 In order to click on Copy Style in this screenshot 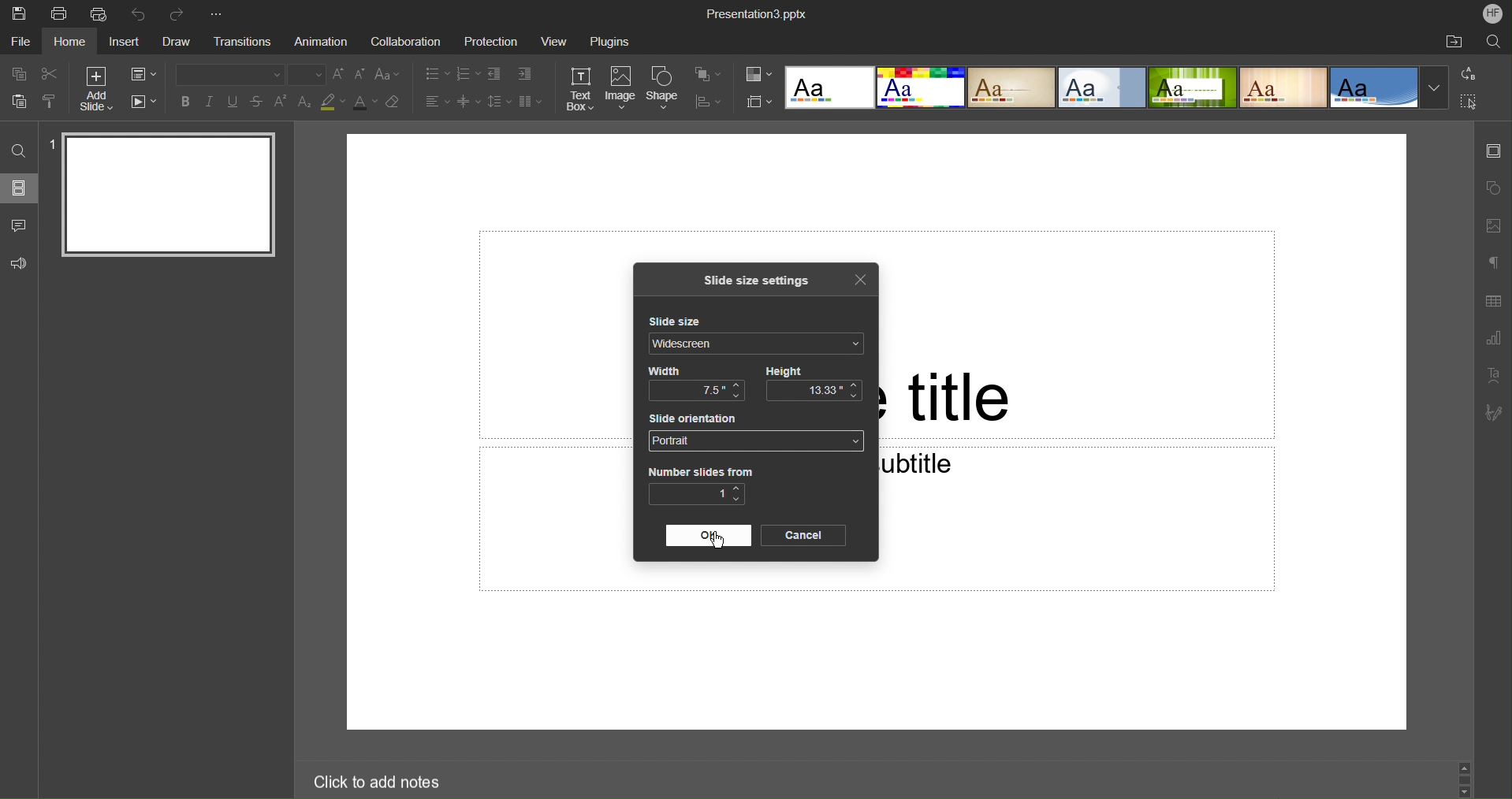, I will do `click(51, 103)`.